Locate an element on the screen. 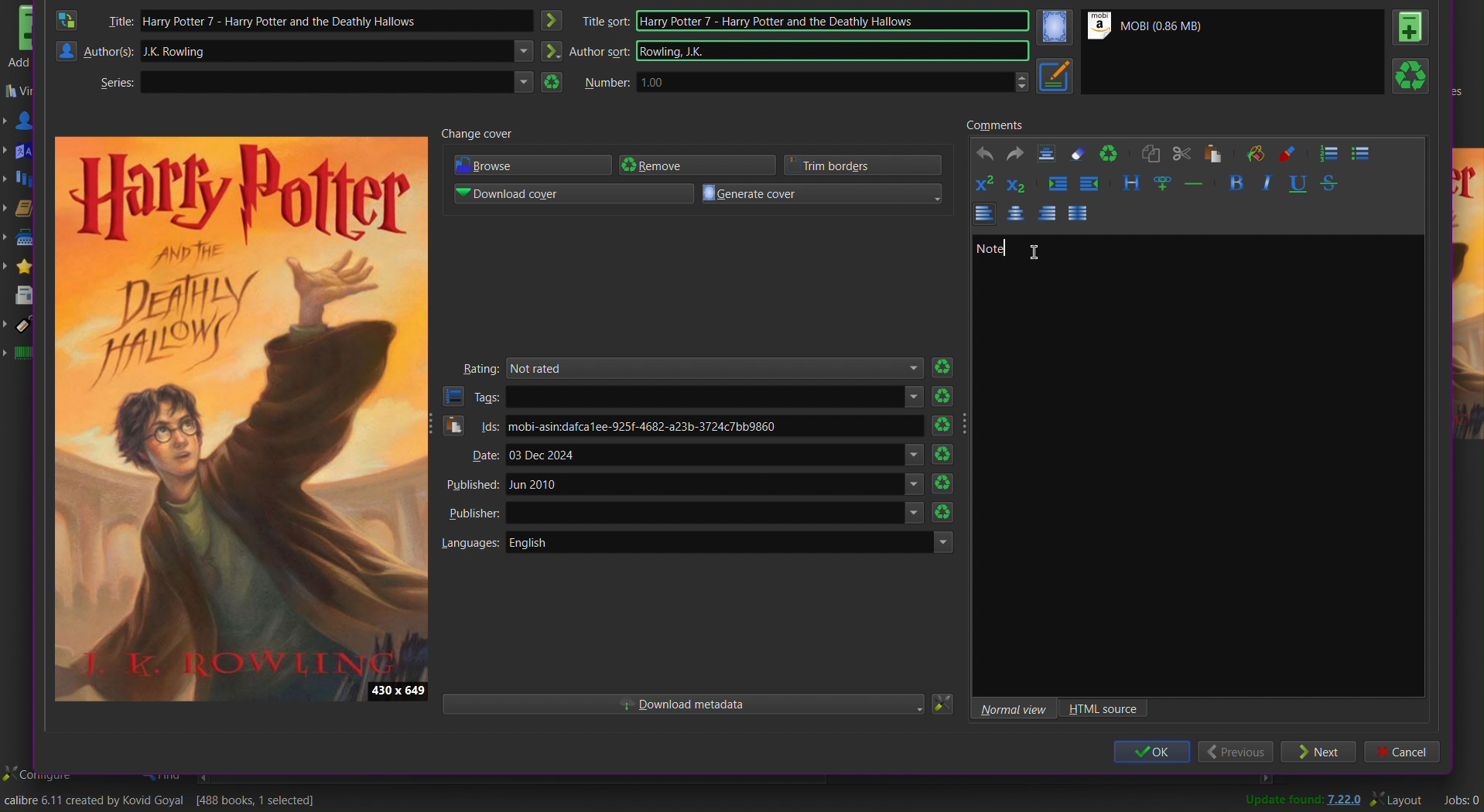 Image resolution: width=1484 pixels, height=812 pixels. Copy is located at coordinates (1151, 153).